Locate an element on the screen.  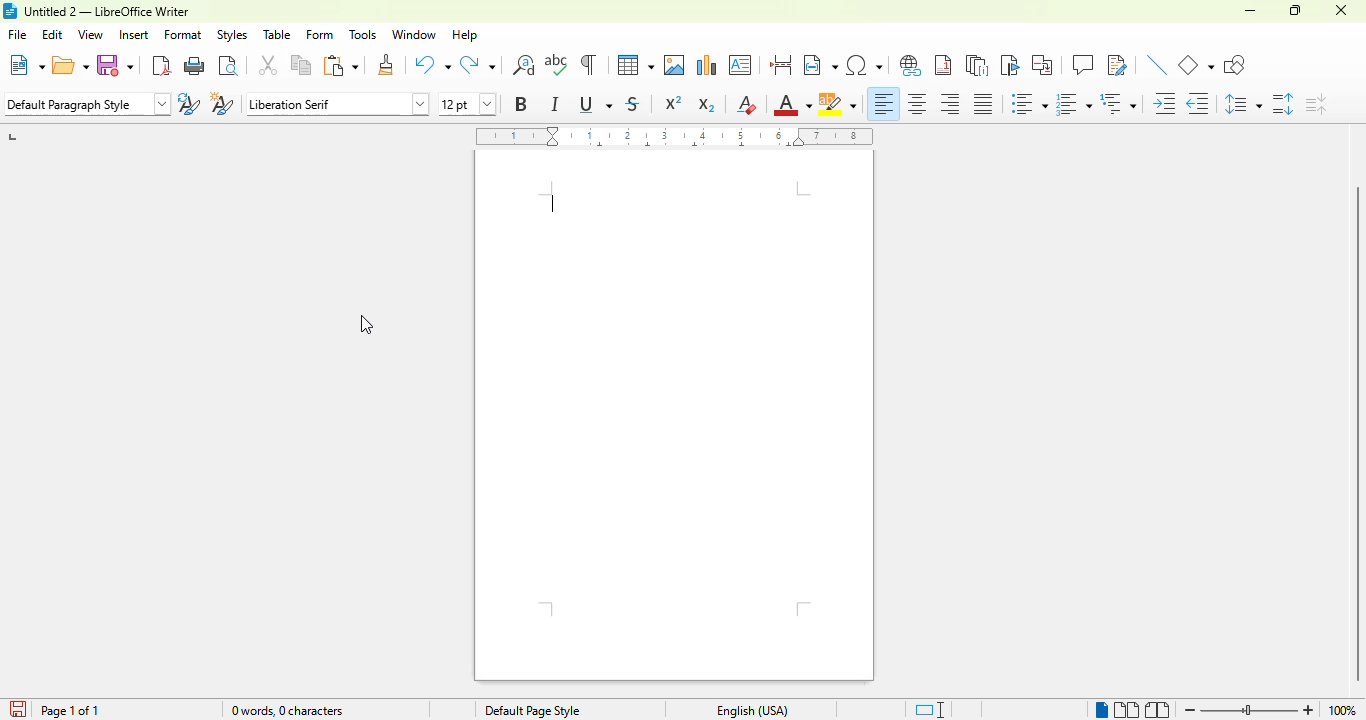
styles is located at coordinates (232, 35).